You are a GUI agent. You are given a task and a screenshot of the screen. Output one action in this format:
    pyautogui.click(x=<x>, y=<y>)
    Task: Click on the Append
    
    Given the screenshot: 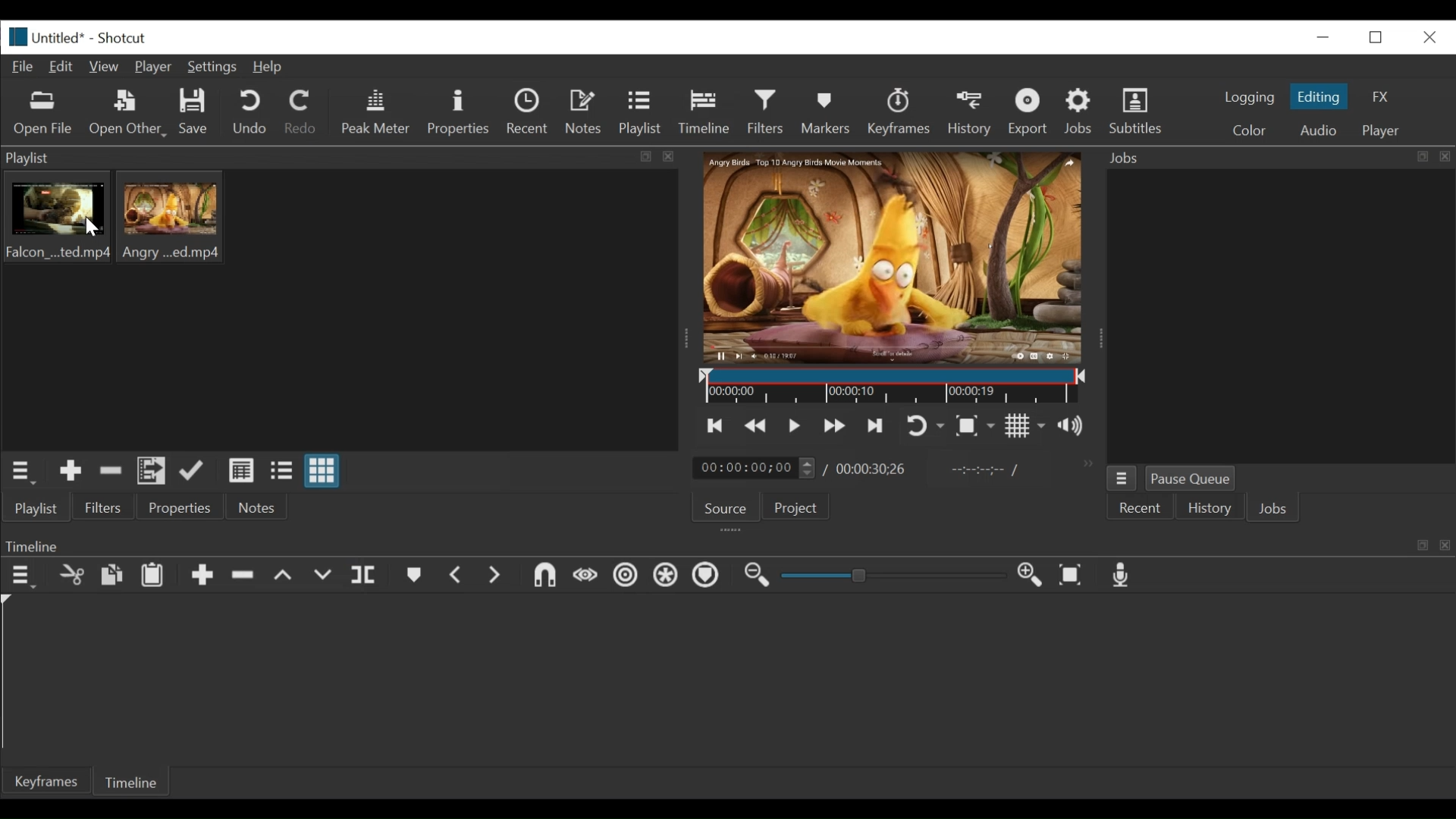 What is the action you would take?
    pyautogui.click(x=202, y=579)
    